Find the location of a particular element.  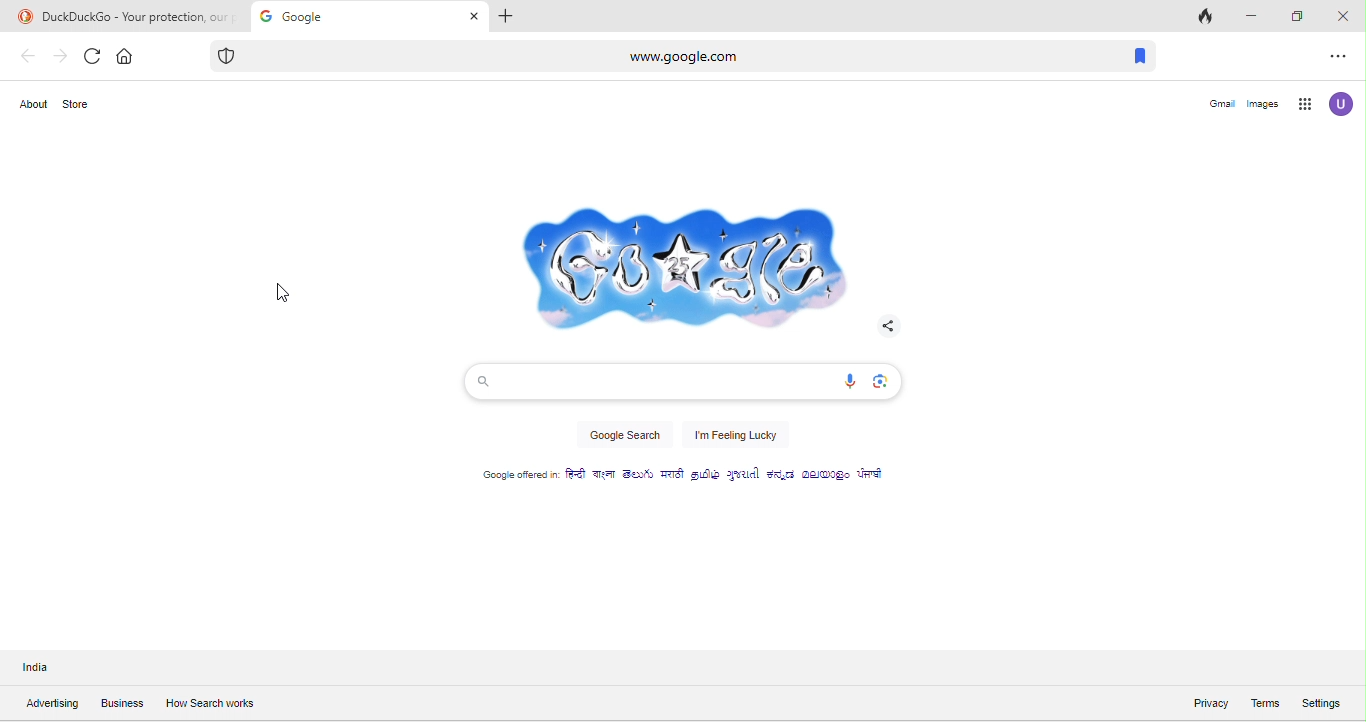

home is located at coordinates (127, 54).